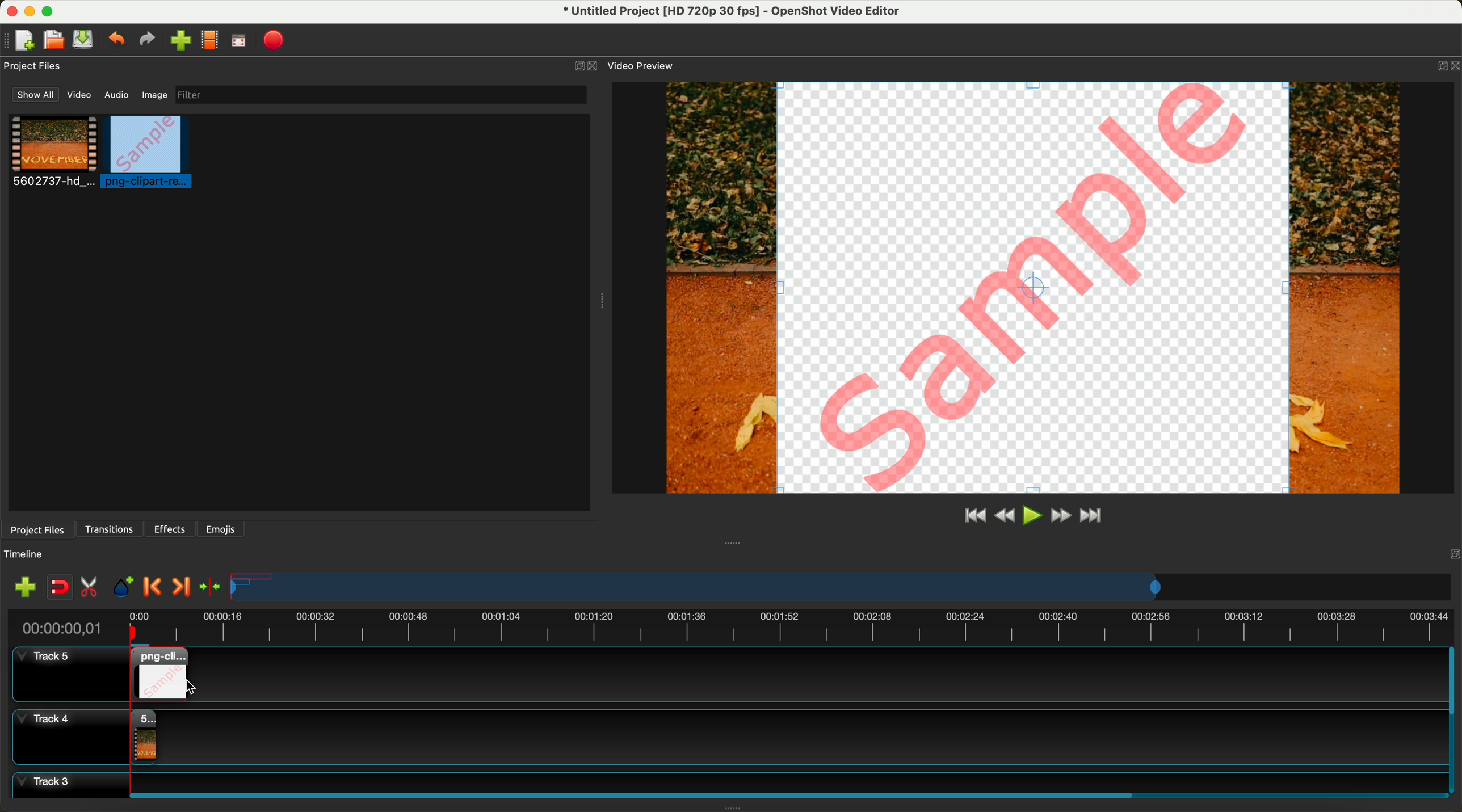 Image resolution: width=1462 pixels, height=812 pixels. What do you see at coordinates (586, 66) in the screenshot?
I see `close` at bounding box center [586, 66].